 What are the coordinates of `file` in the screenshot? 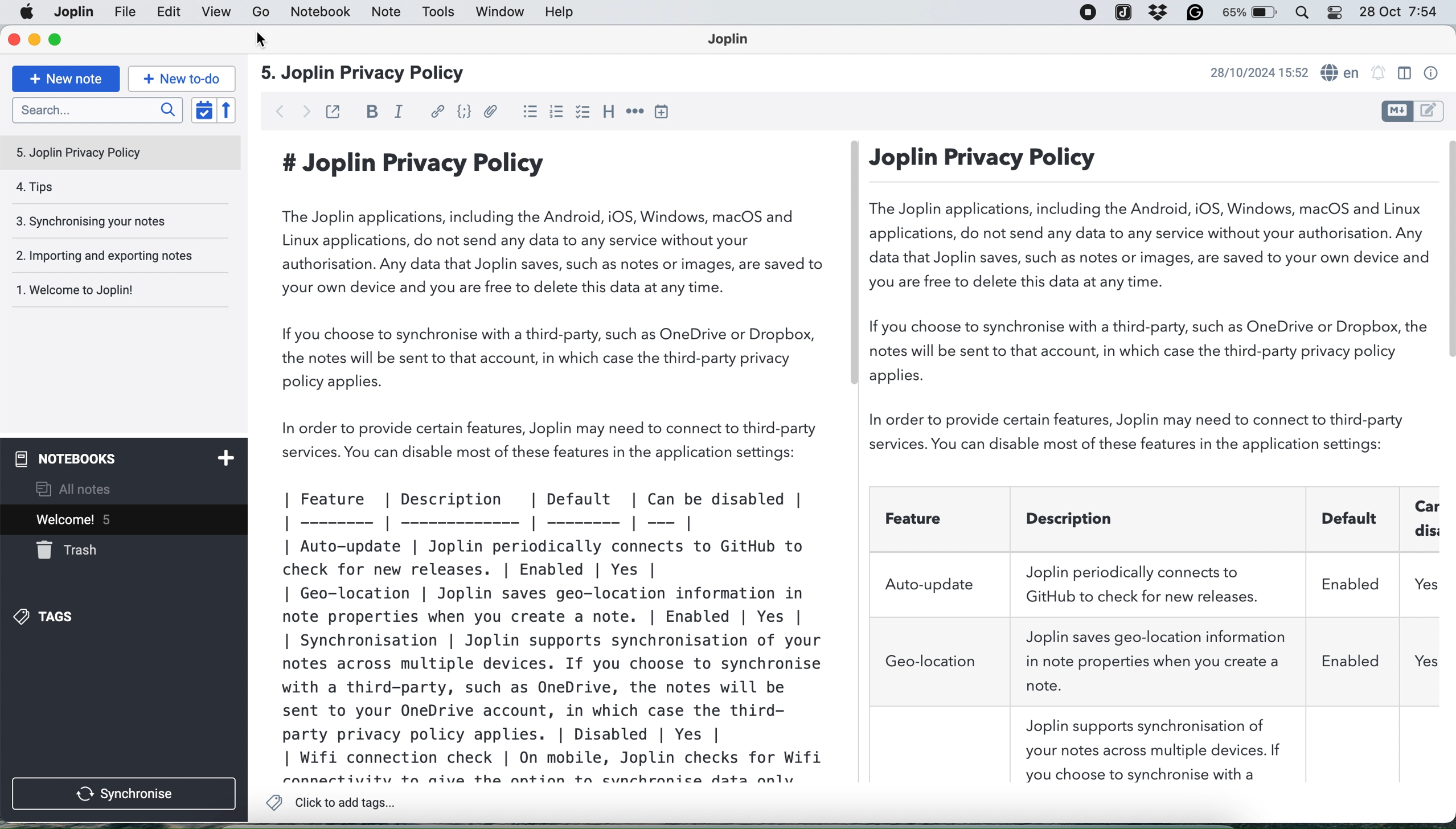 It's located at (72, 12).